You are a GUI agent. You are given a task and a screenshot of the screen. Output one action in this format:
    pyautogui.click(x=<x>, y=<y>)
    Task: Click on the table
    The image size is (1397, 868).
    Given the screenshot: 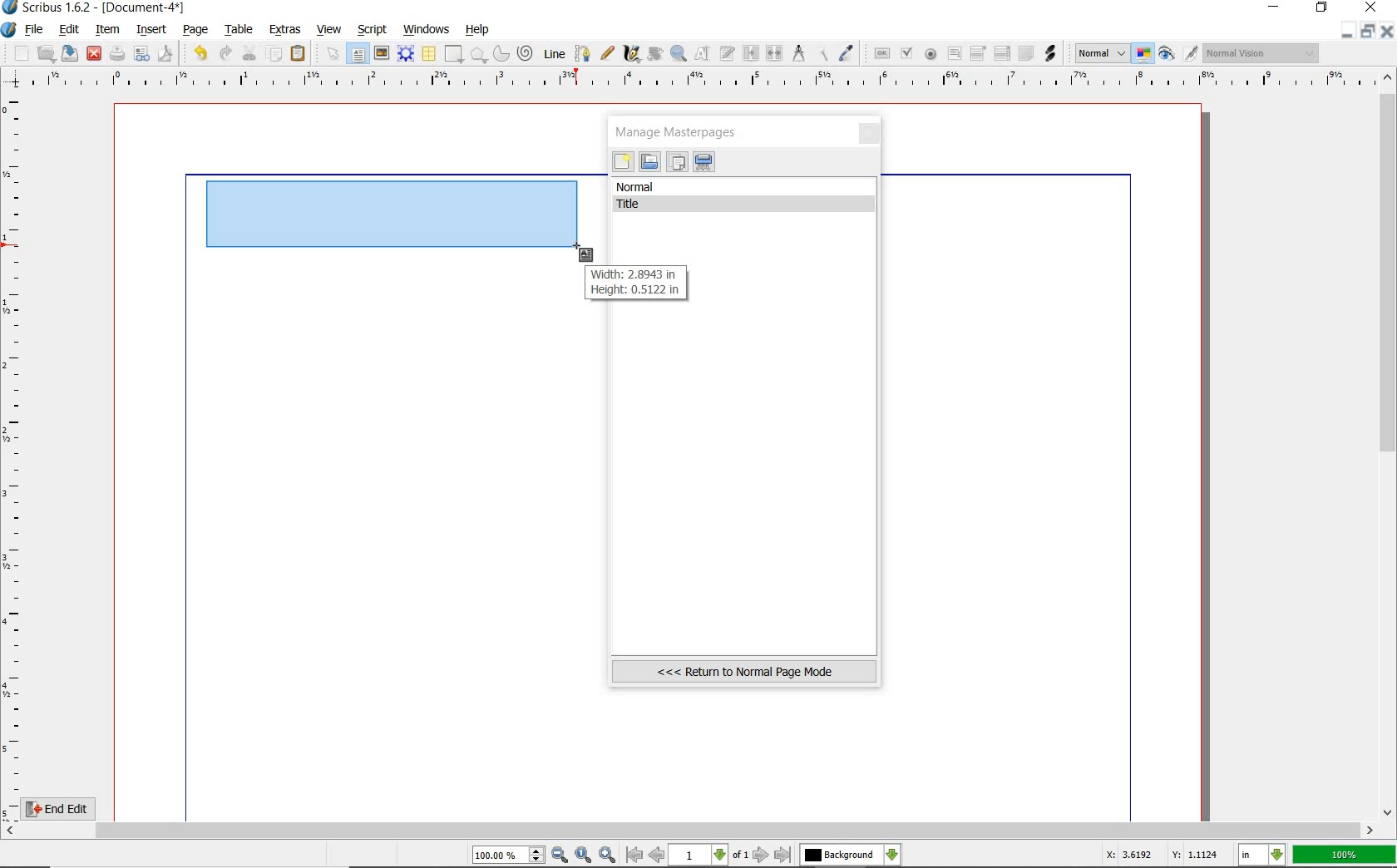 What is the action you would take?
    pyautogui.click(x=236, y=29)
    